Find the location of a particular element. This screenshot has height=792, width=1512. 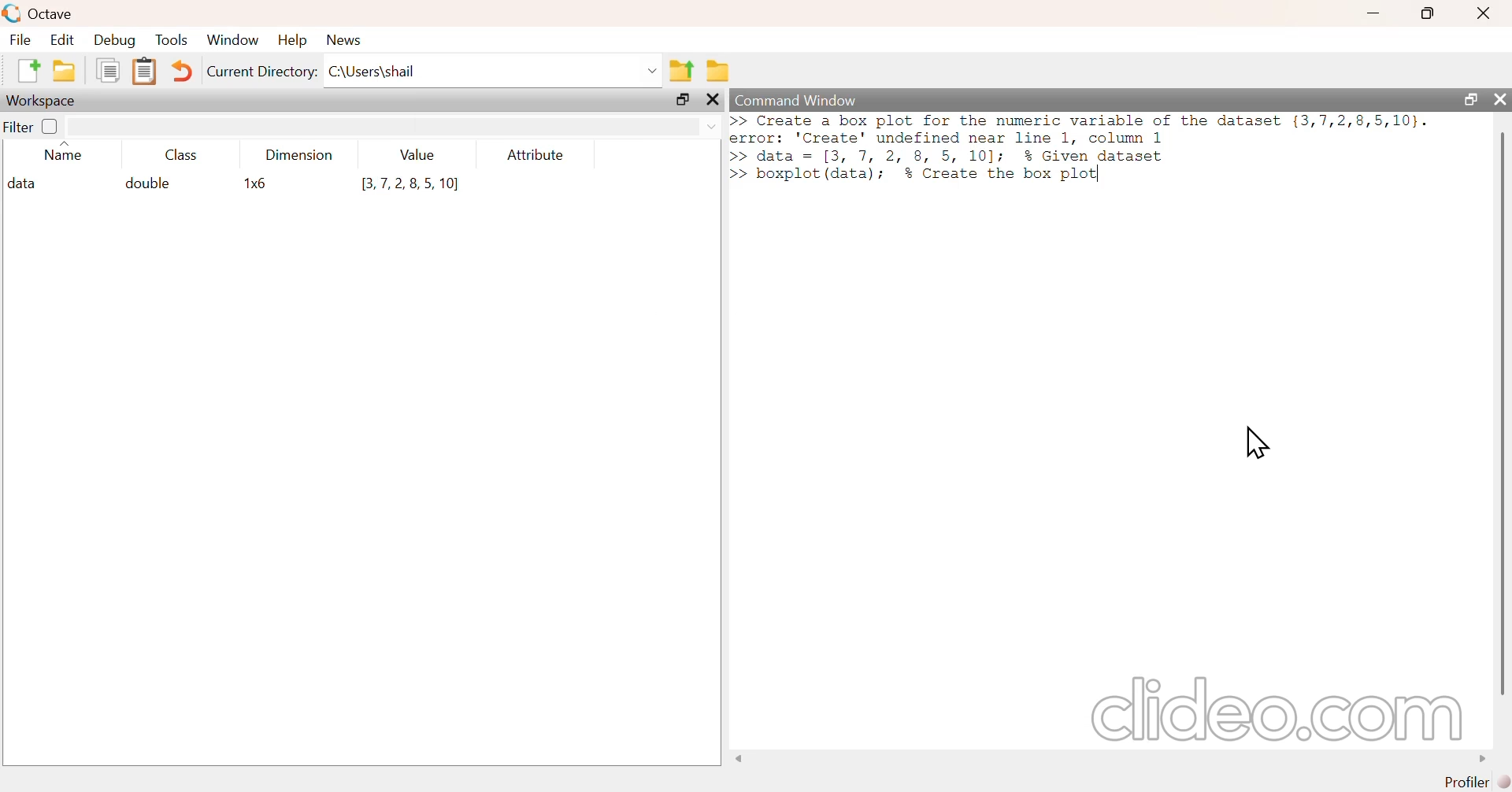

1x6 is located at coordinates (259, 183).